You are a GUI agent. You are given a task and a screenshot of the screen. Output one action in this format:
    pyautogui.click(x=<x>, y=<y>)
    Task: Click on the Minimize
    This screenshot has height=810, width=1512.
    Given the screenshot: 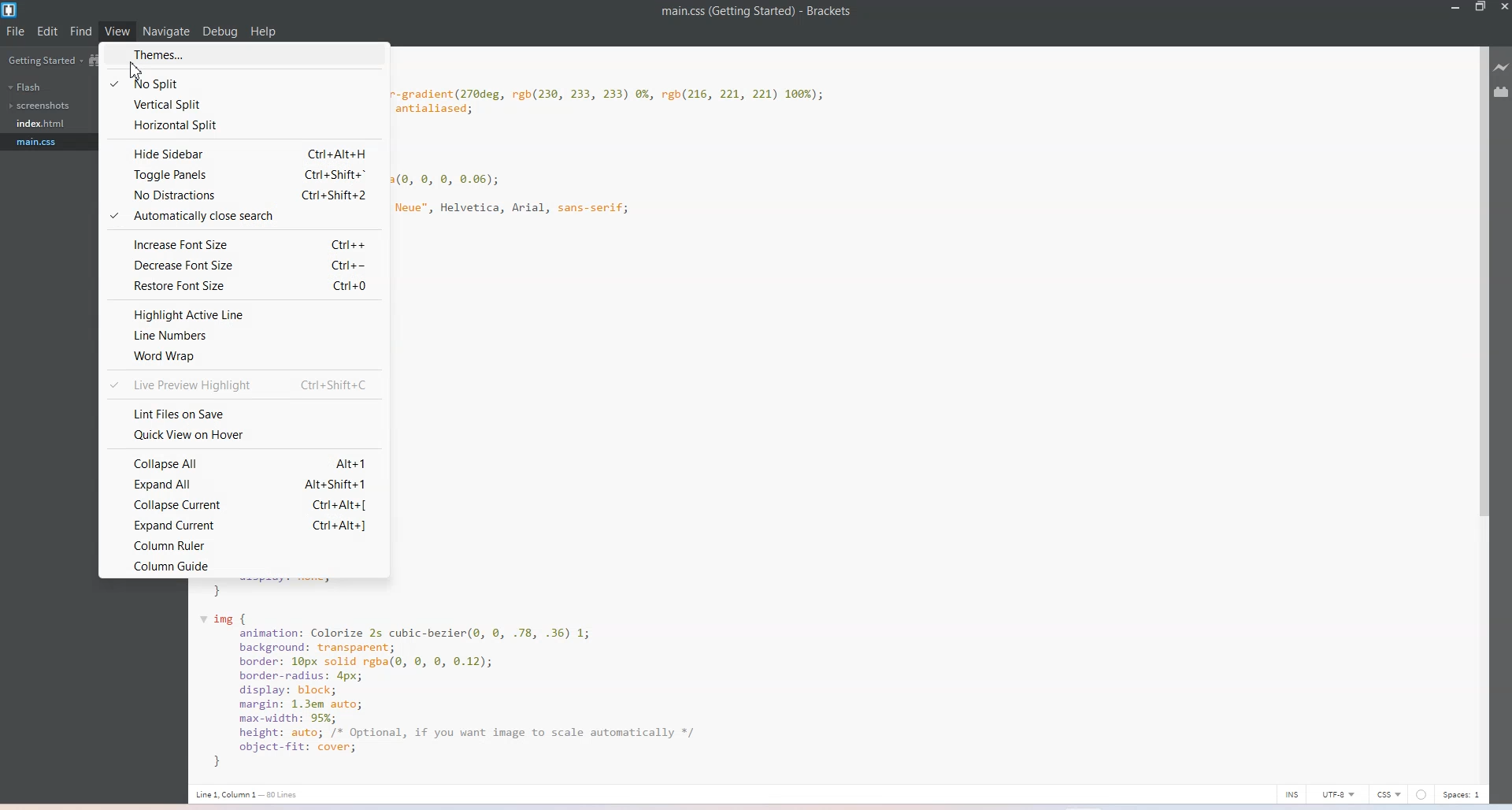 What is the action you would take?
    pyautogui.click(x=1453, y=8)
    